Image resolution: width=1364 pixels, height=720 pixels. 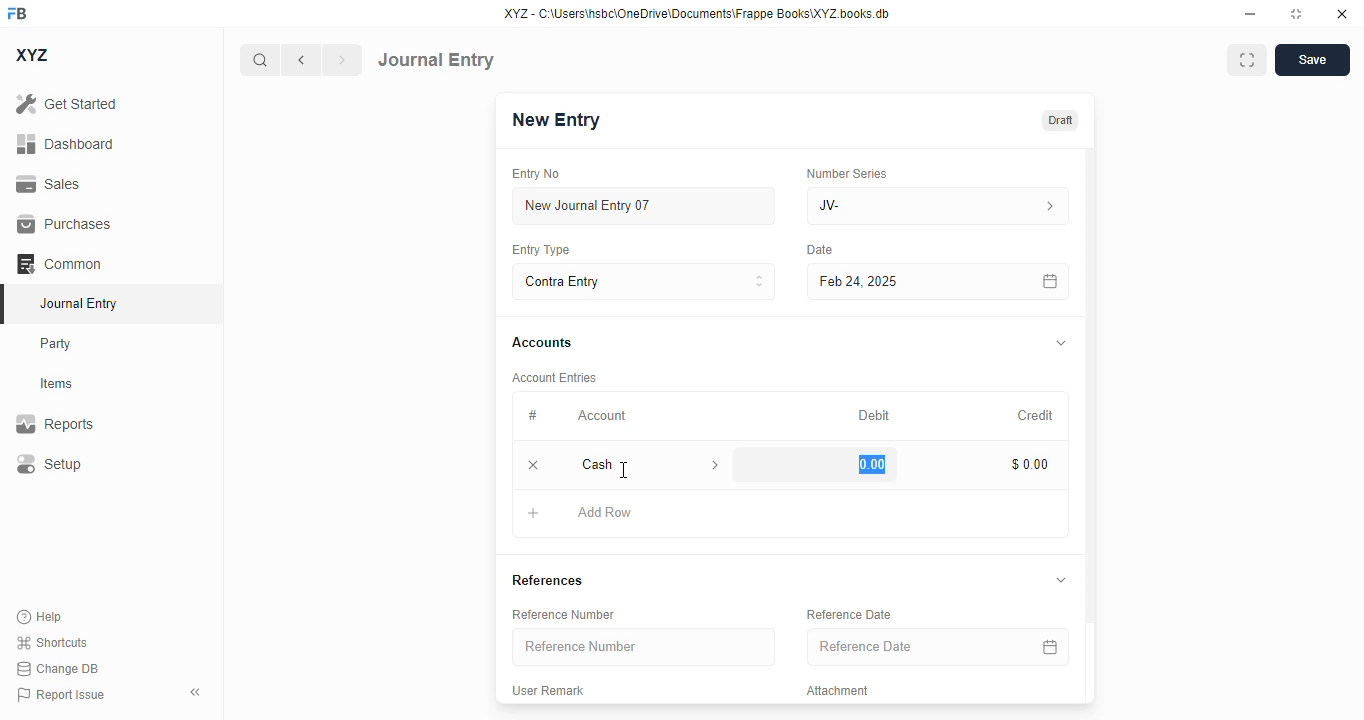 What do you see at coordinates (67, 104) in the screenshot?
I see `get started` at bounding box center [67, 104].